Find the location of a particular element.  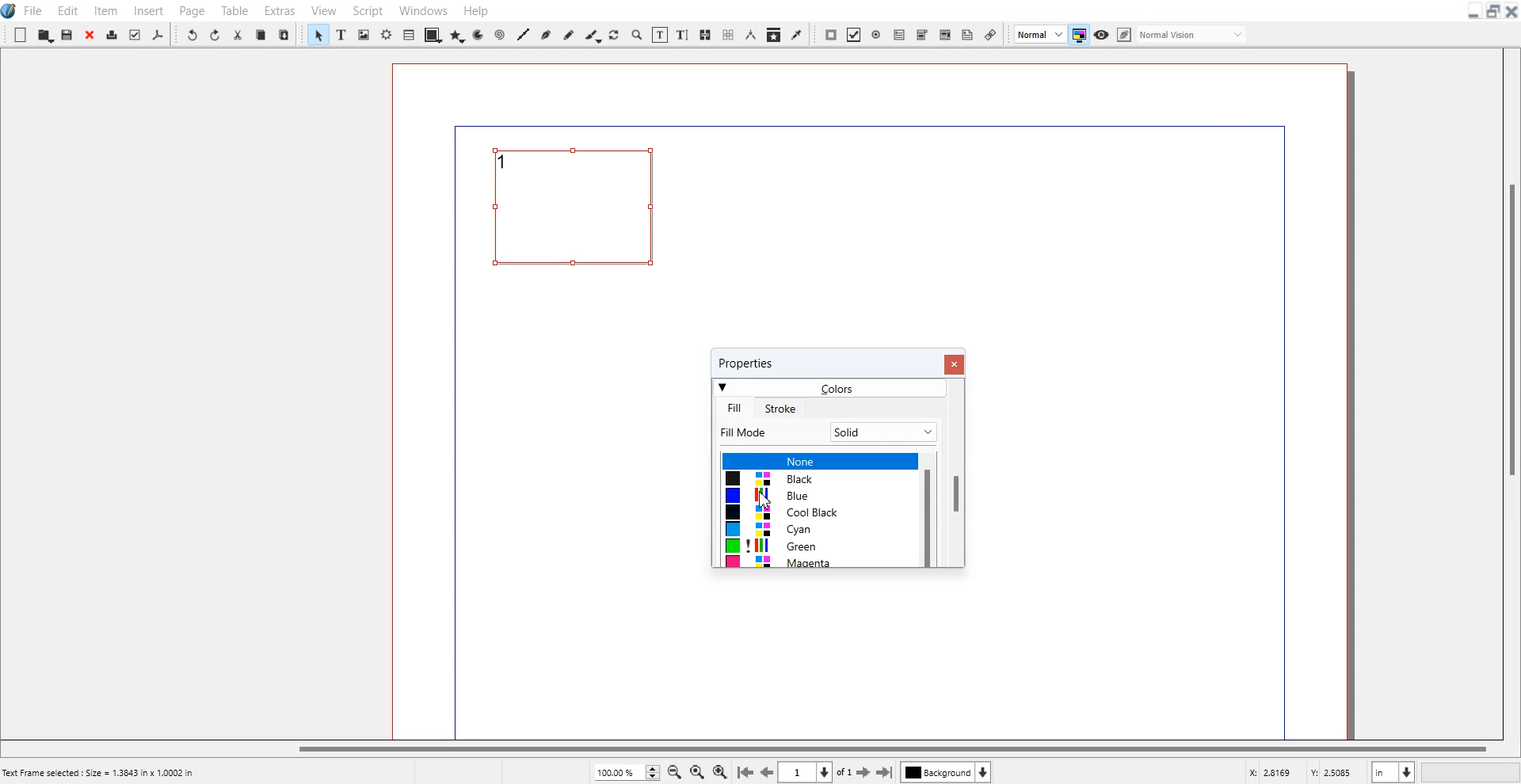

Preview mode is located at coordinates (1102, 35).